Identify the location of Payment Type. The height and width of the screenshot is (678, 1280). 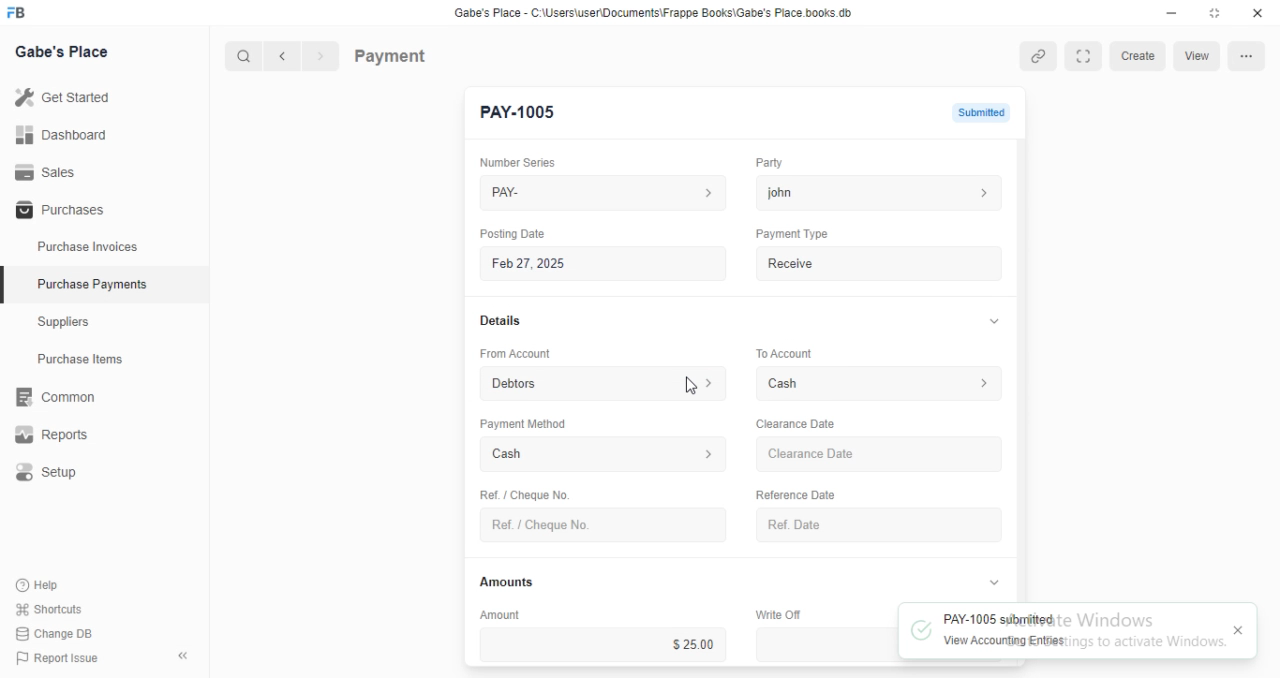
(790, 234).